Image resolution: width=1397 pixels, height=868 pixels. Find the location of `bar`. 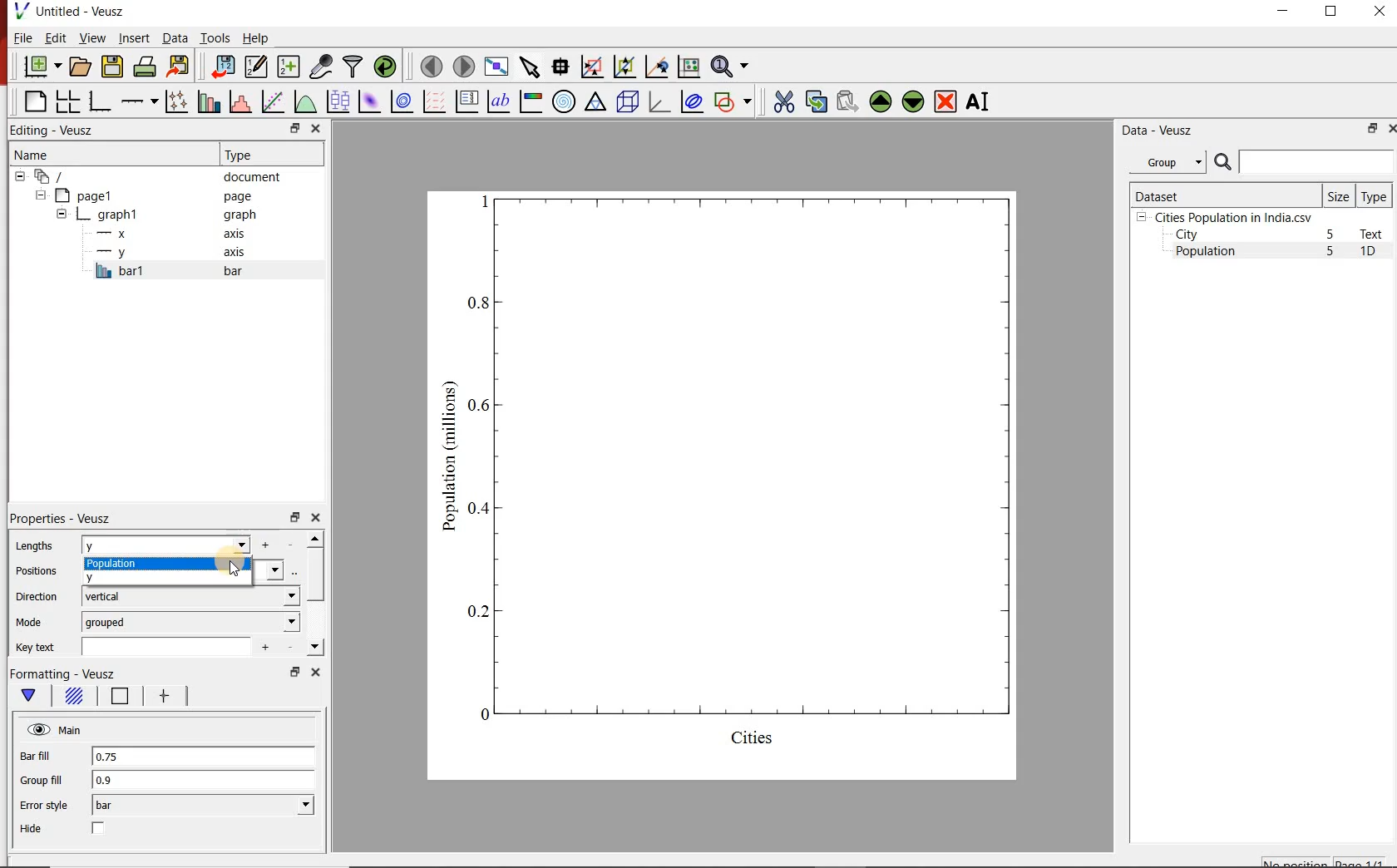

bar is located at coordinates (203, 806).